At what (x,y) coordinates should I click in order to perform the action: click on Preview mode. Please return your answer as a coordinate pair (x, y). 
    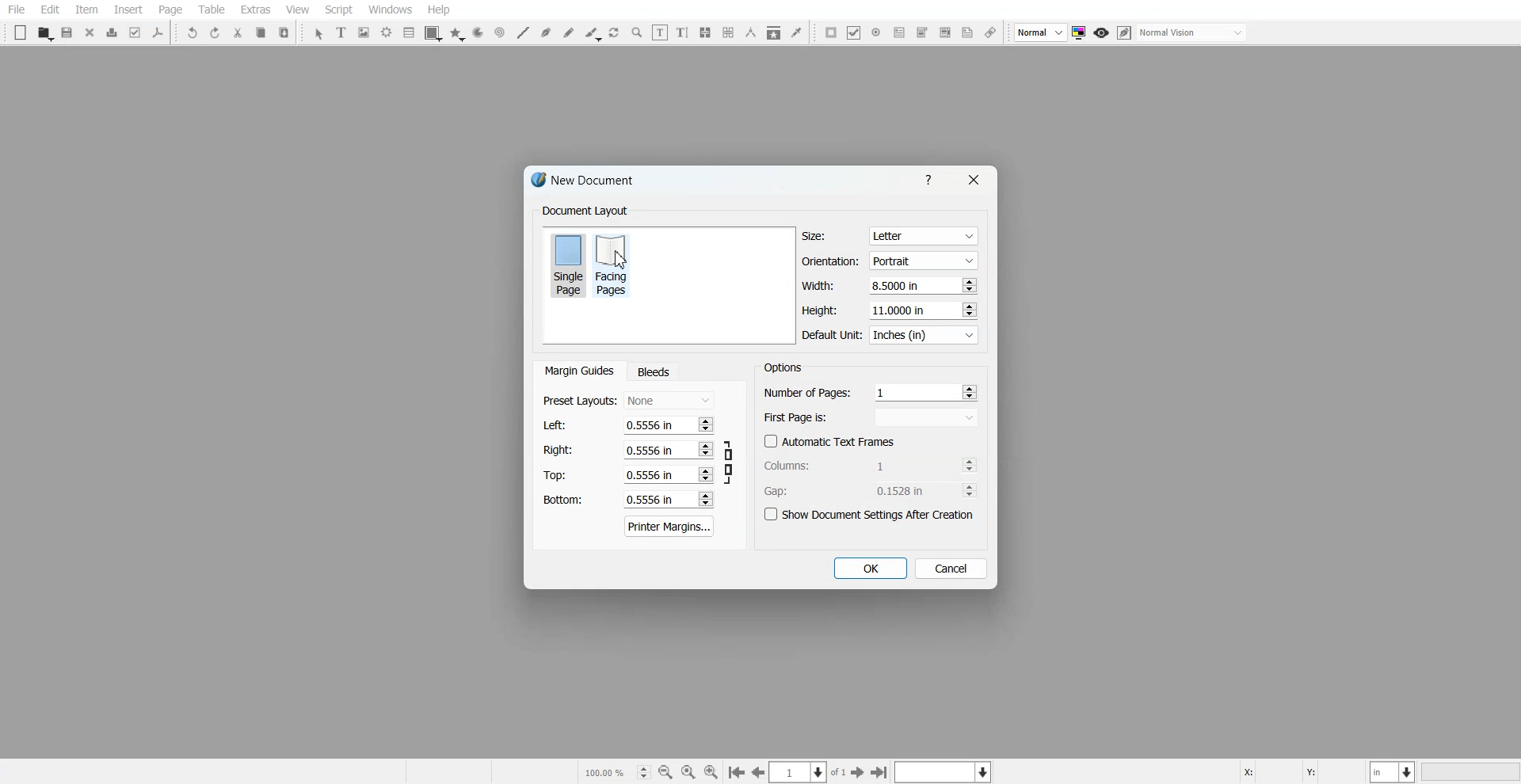
    Looking at the image, I should click on (1102, 33).